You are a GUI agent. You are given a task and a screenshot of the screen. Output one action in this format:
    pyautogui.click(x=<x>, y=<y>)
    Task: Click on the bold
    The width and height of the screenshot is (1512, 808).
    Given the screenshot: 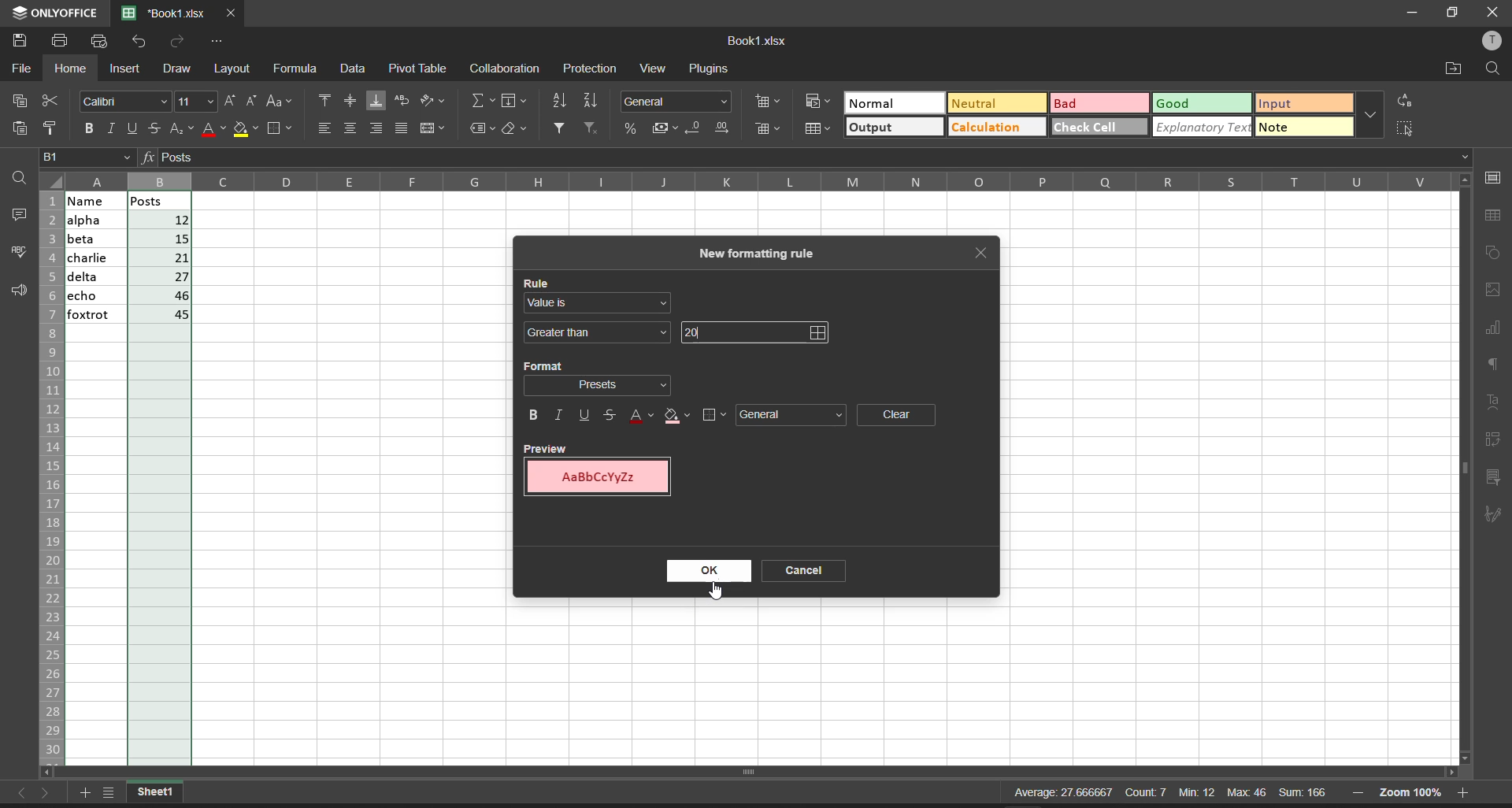 What is the action you would take?
    pyautogui.click(x=85, y=131)
    